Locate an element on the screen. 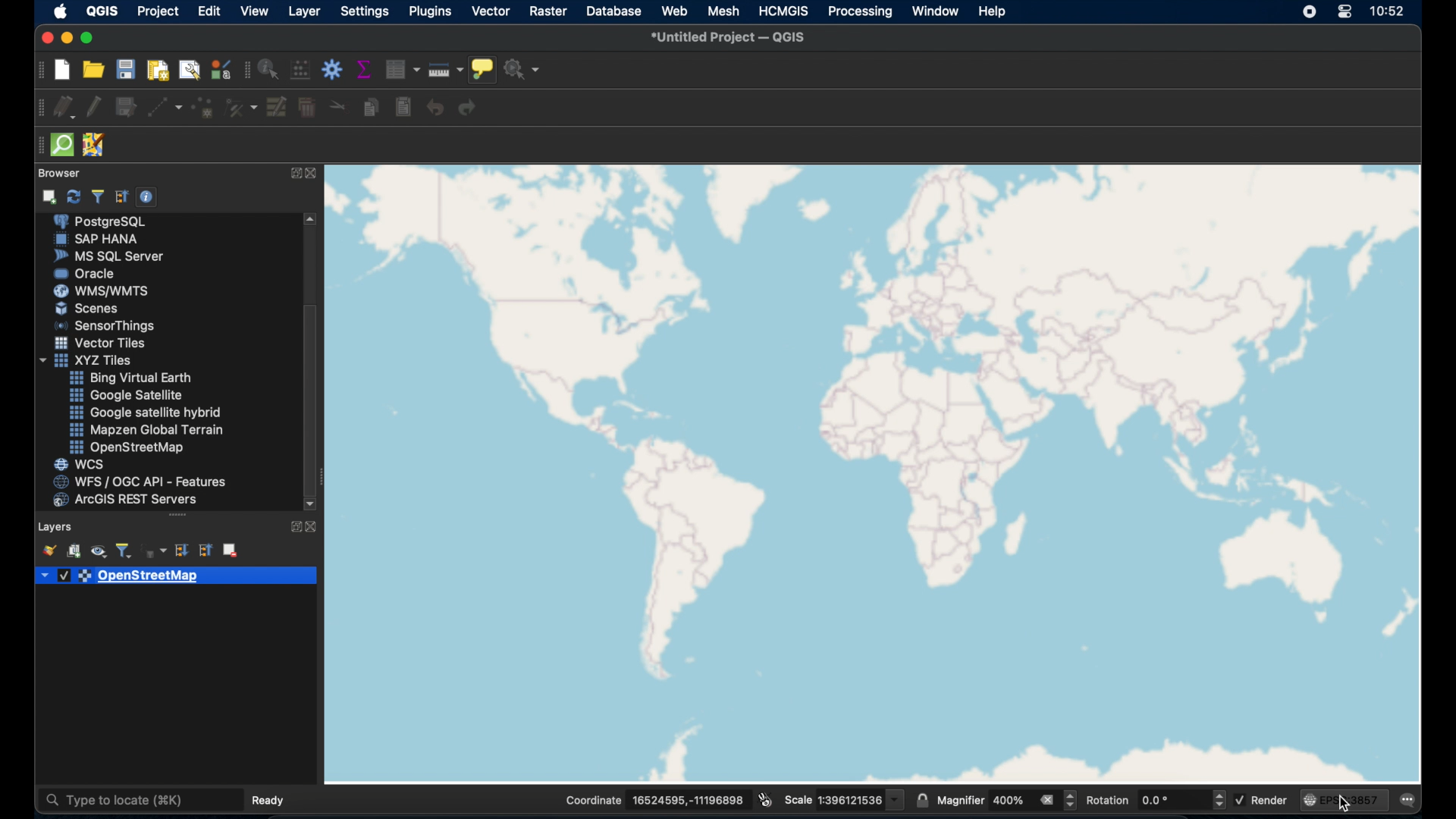  mapzen global terrain is located at coordinates (149, 431).